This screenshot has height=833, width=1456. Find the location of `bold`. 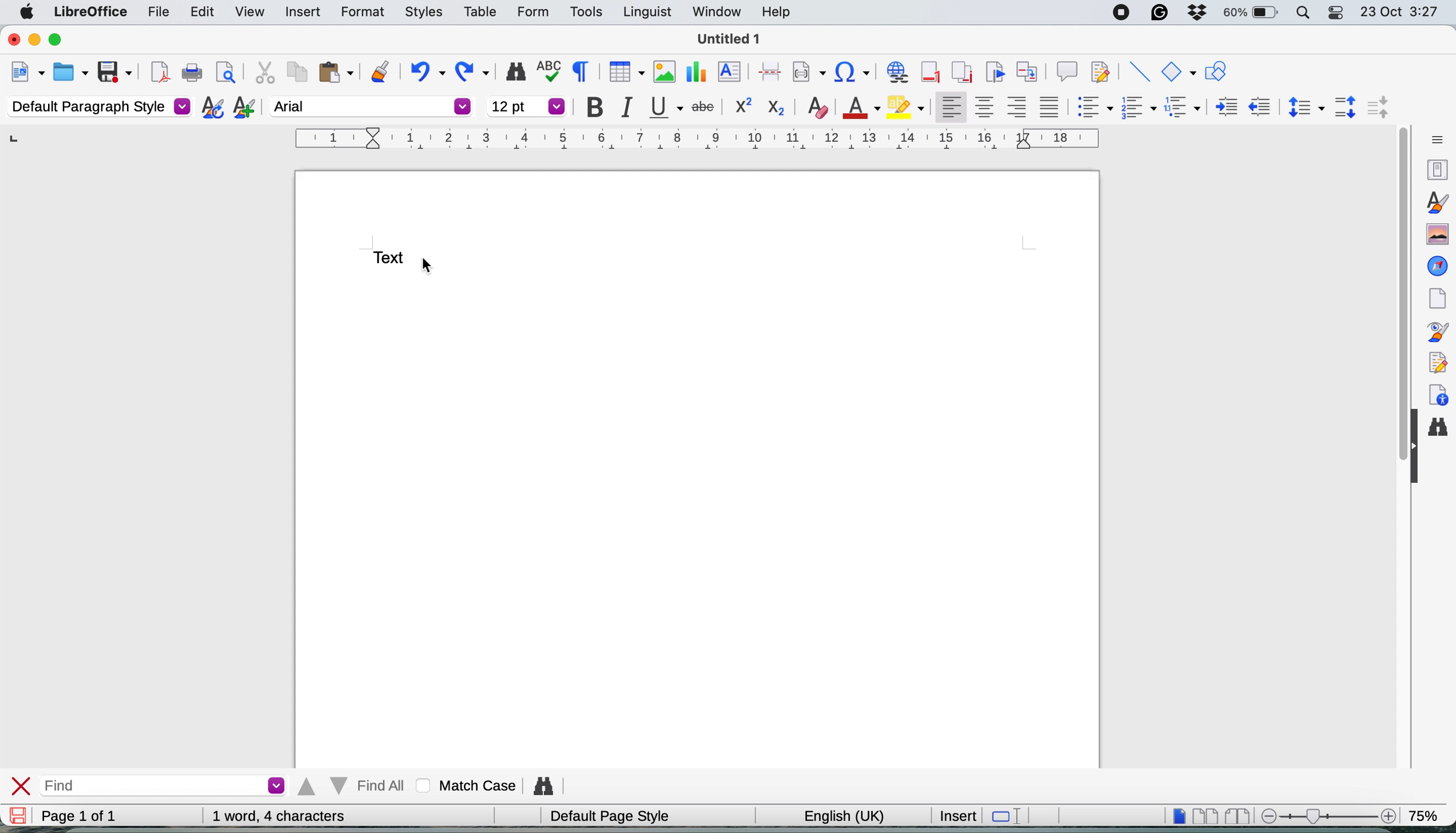

bold is located at coordinates (590, 105).